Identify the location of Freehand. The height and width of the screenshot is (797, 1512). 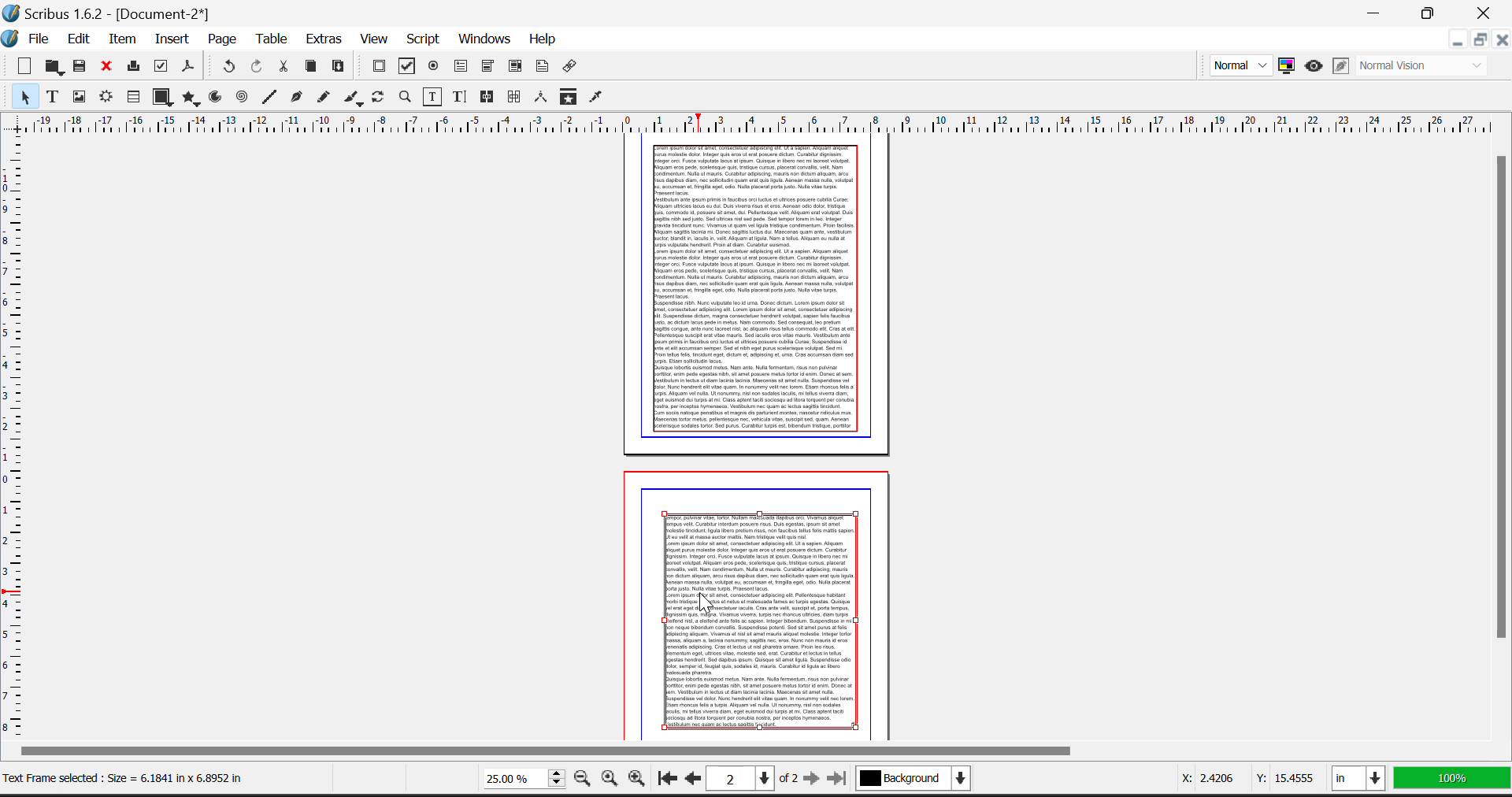
(323, 99).